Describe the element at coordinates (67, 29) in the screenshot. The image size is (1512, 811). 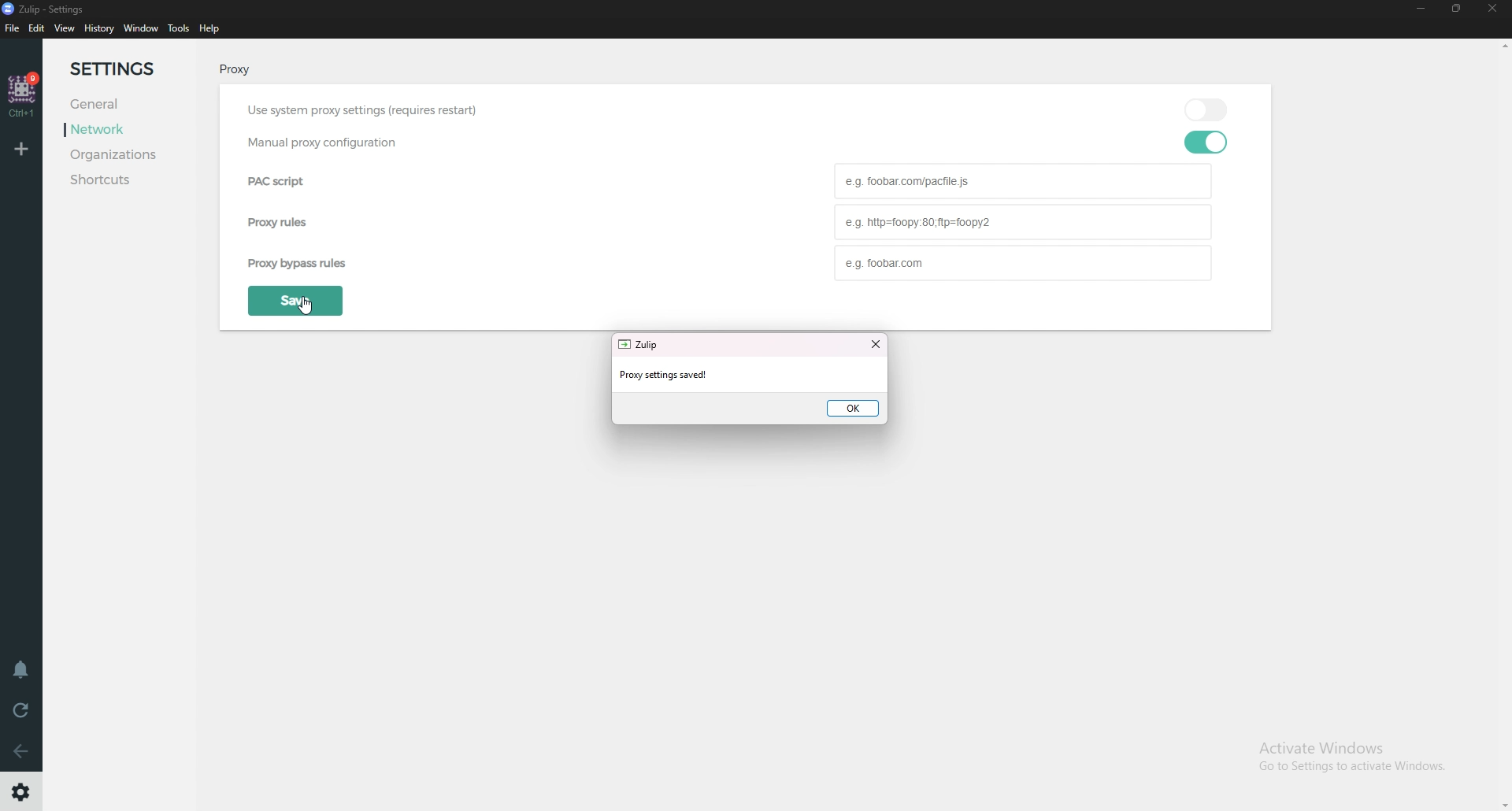
I see `view` at that location.